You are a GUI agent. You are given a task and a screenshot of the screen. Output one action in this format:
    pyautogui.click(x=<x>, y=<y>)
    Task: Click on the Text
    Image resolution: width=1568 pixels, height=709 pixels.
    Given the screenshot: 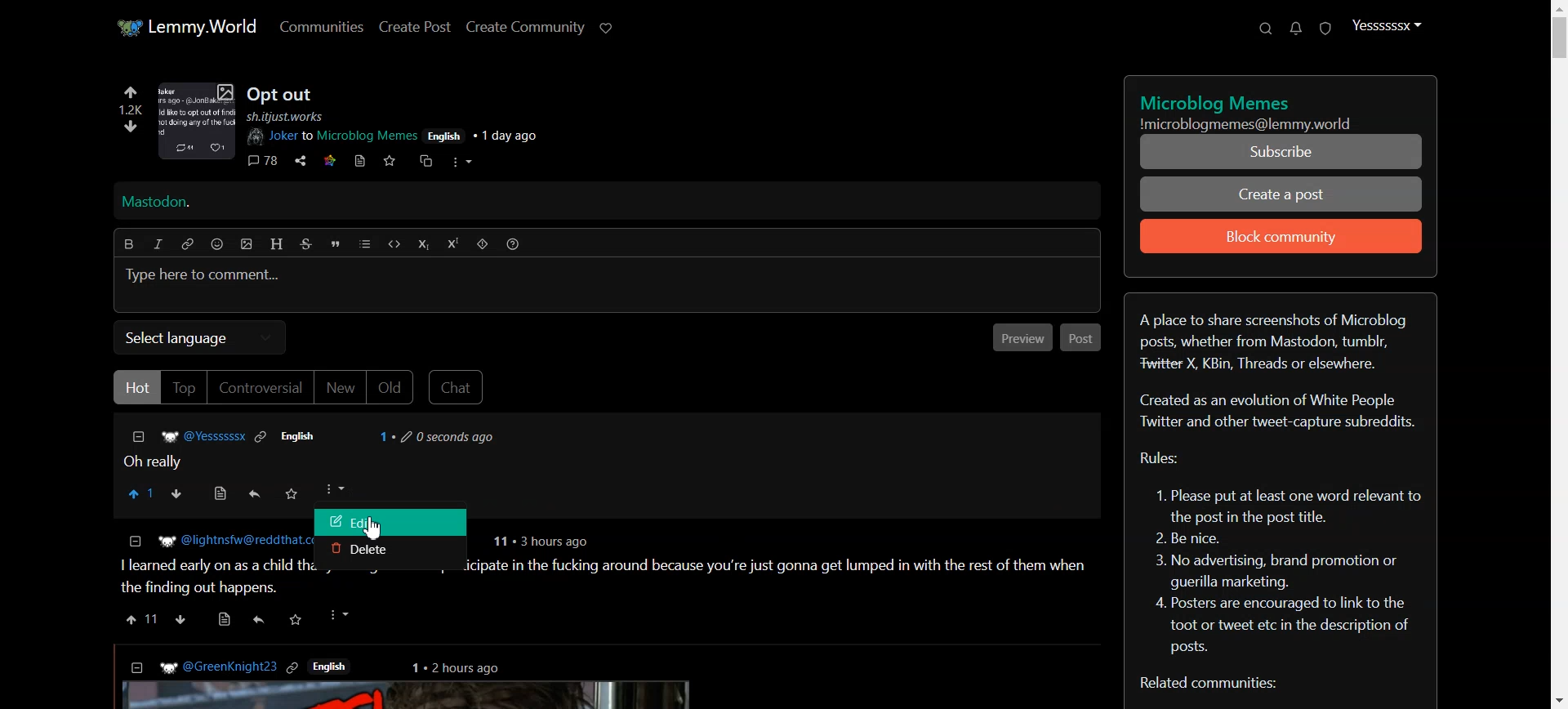 What is the action you would take?
    pyautogui.click(x=1282, y=493)
    